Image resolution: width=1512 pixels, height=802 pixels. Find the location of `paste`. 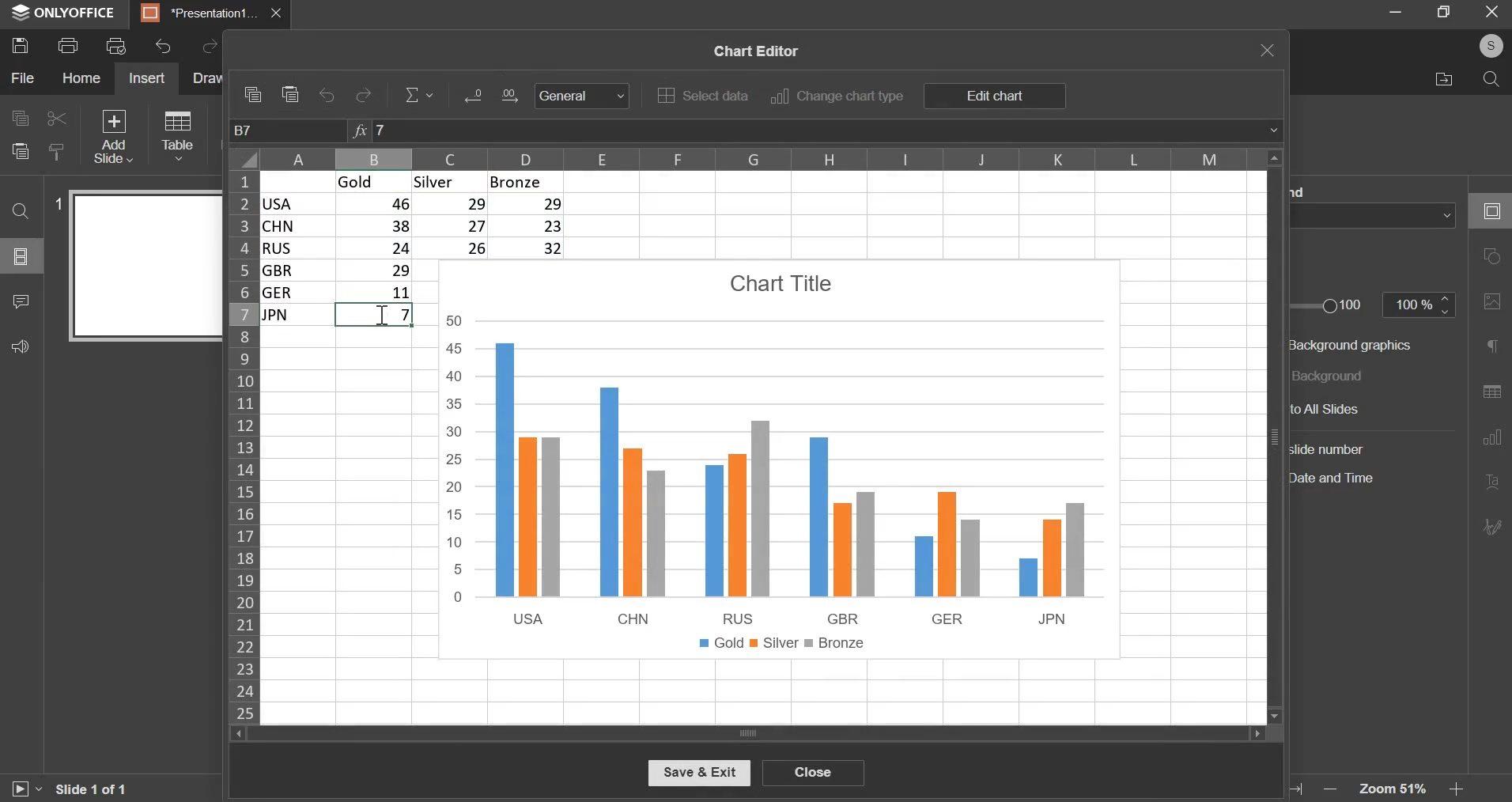

paste is located at coordinates (20, 152).